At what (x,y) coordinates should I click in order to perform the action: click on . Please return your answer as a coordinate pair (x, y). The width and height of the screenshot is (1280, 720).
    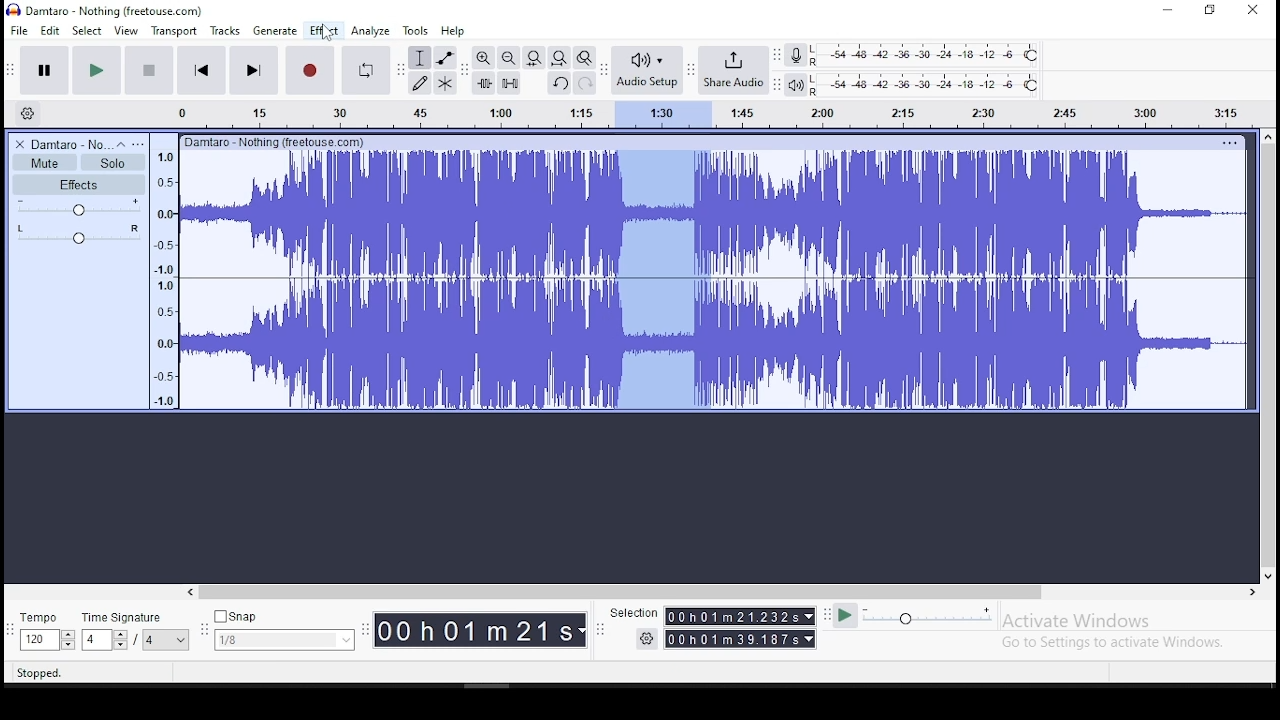
    Looking at the image, I should click on (203, 629).